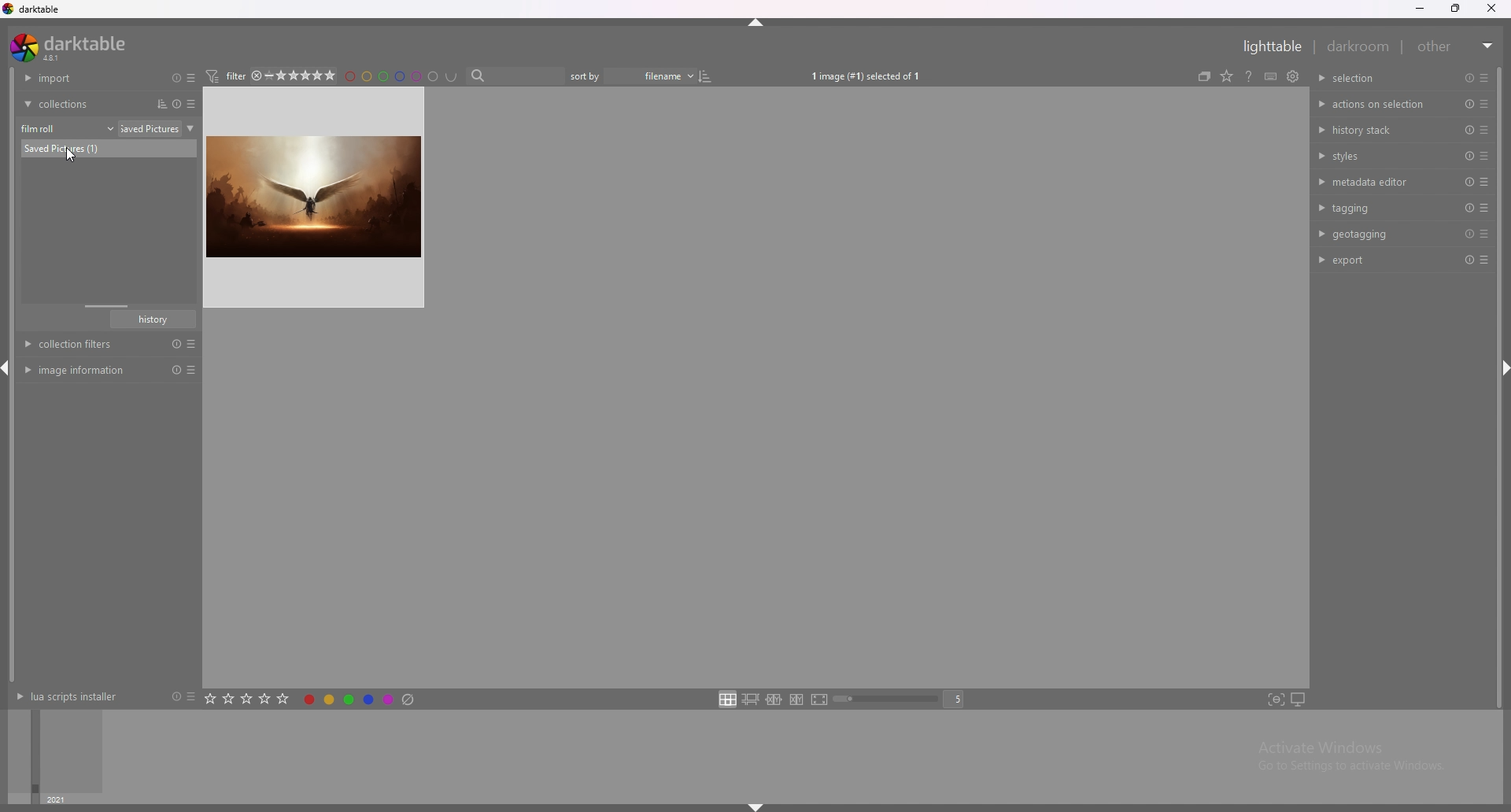  I want to click on minimize, so click(1420, 9).